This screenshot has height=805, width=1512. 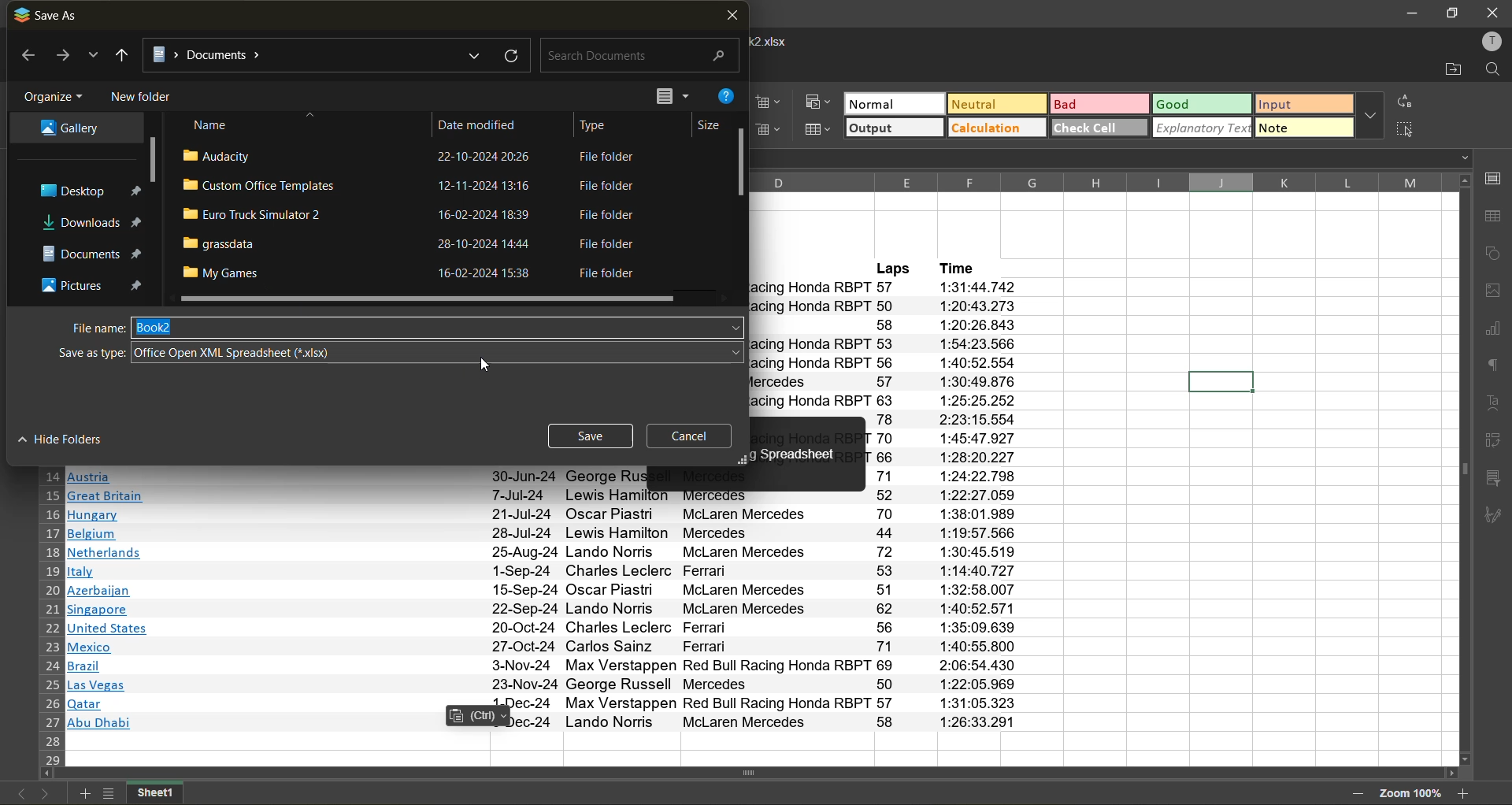 I want to click on text, so click(x=1493, y=403).